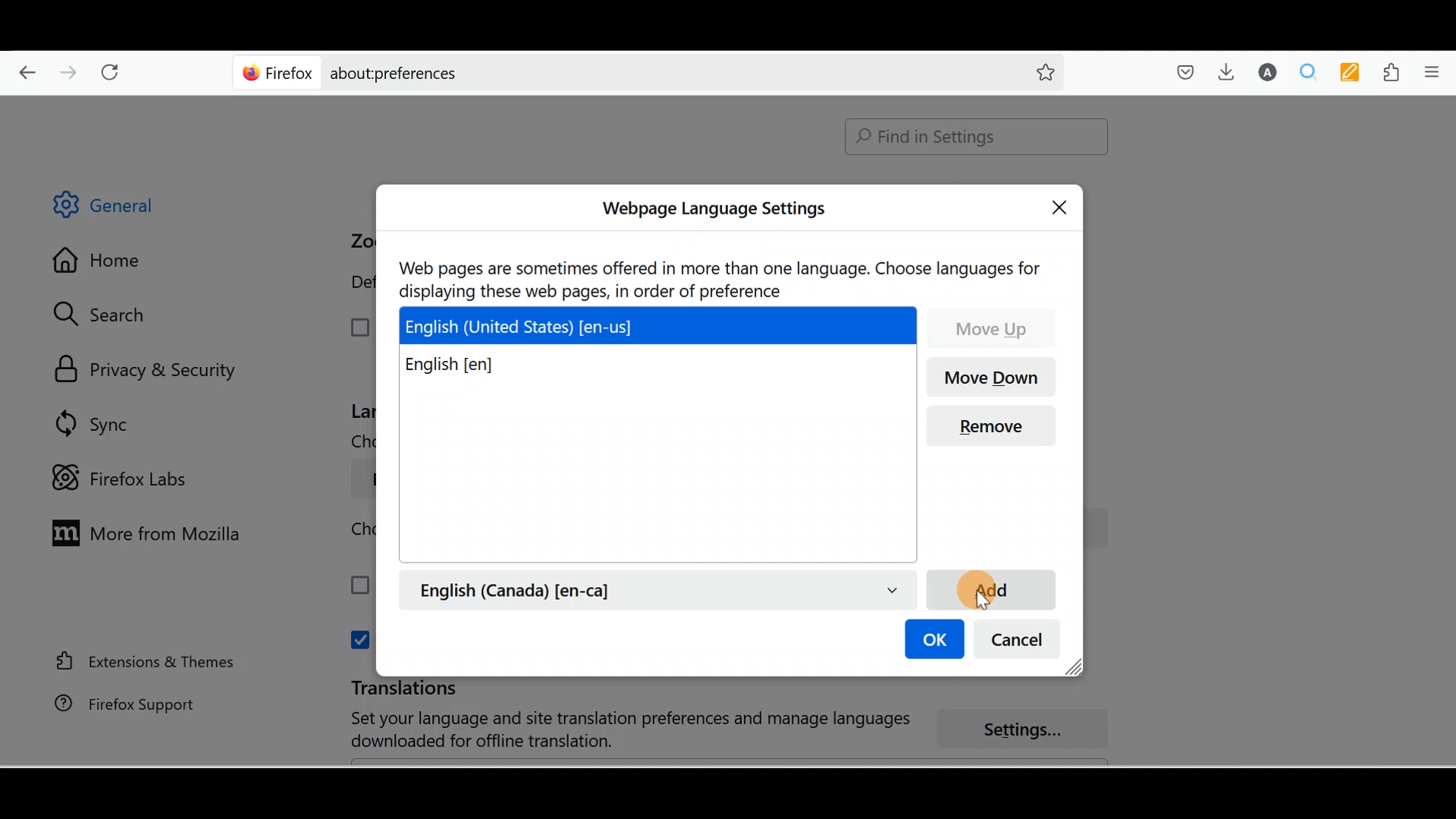 The width and height of the screenshot is (1456, 819). What do you see at coordinates (1309, 71) in the screenshot?
I see `Multiple search & highlight` at bounding box center [1309, 71].